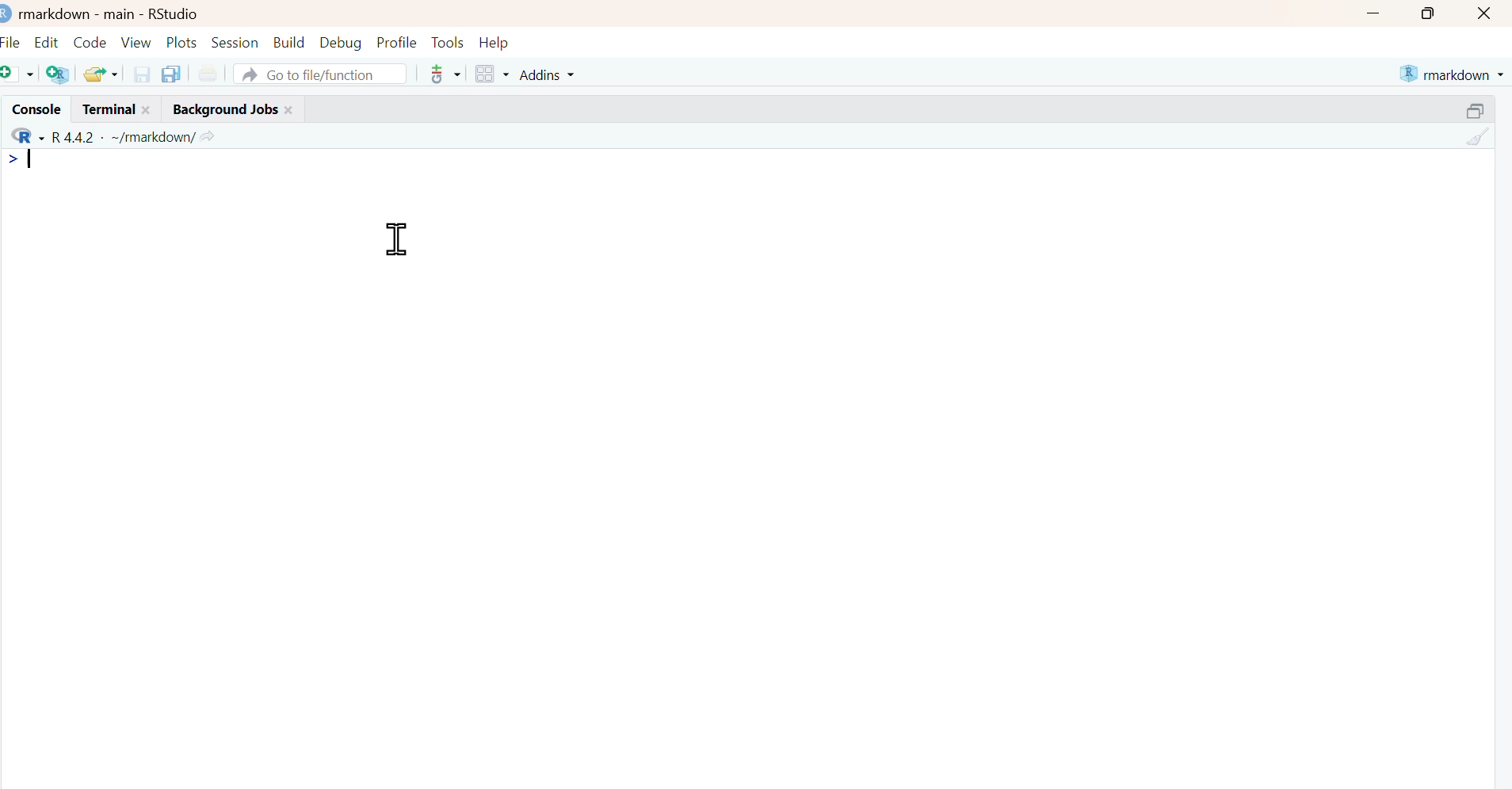 The width and height of the screenshot is (1512, 789). I want to click on R 4.4.2, so click(74, 135).